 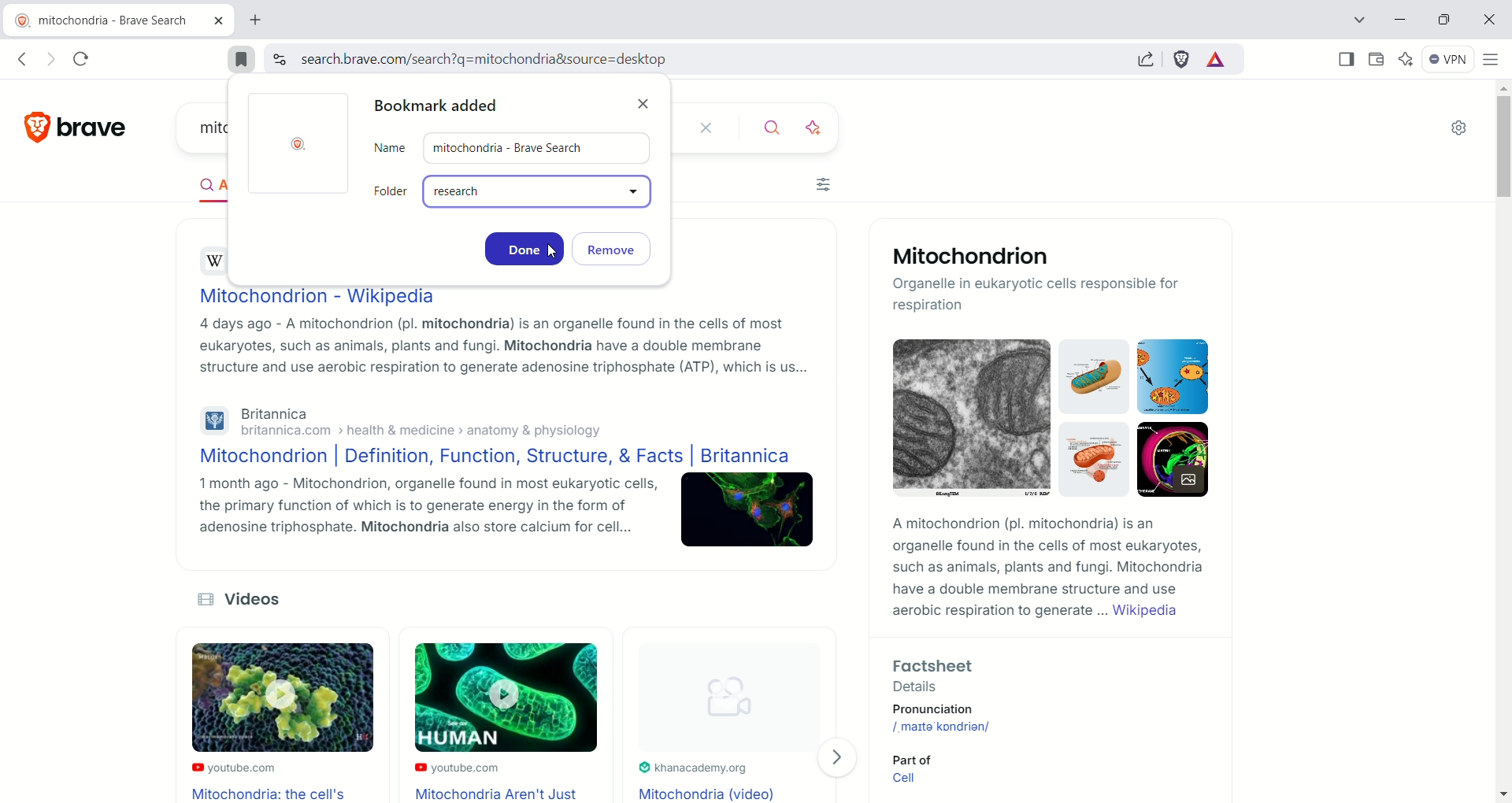 I want to click on leo AI, so click(x=1410, y=59).